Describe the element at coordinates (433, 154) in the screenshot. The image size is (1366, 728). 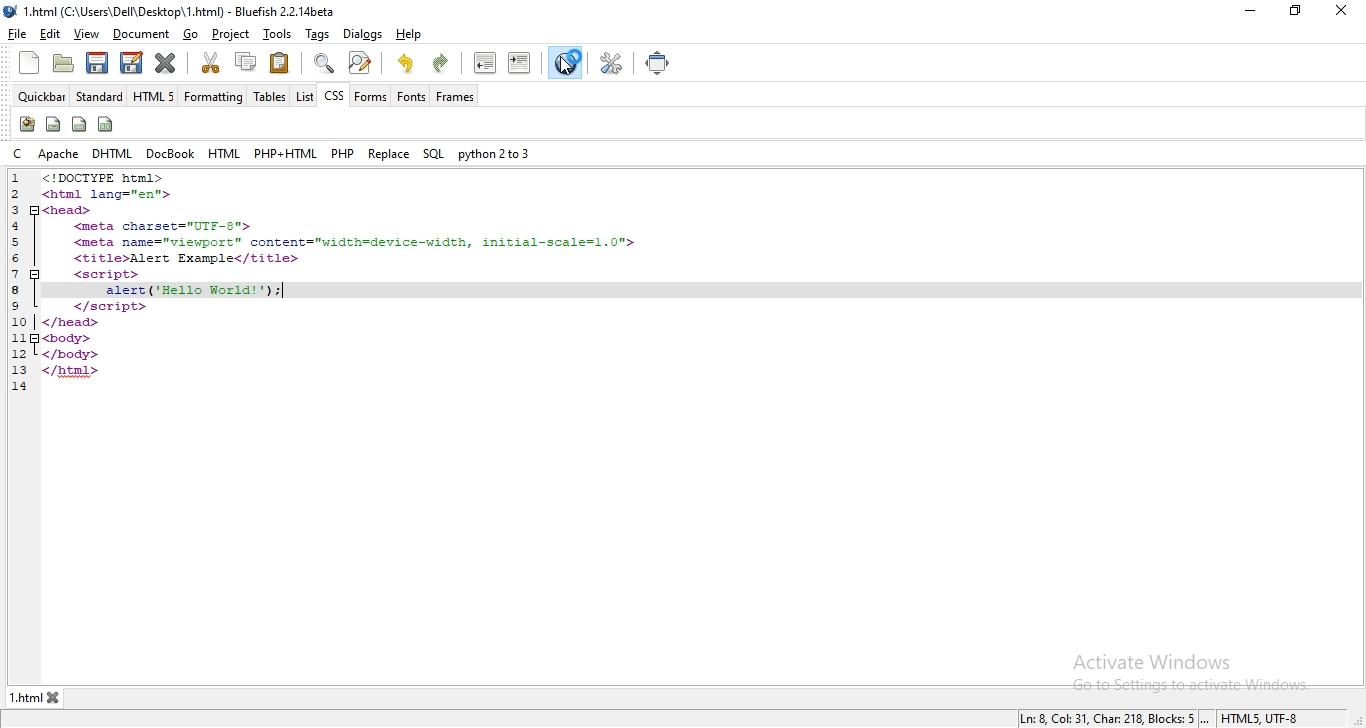
I see `sql` at that location.